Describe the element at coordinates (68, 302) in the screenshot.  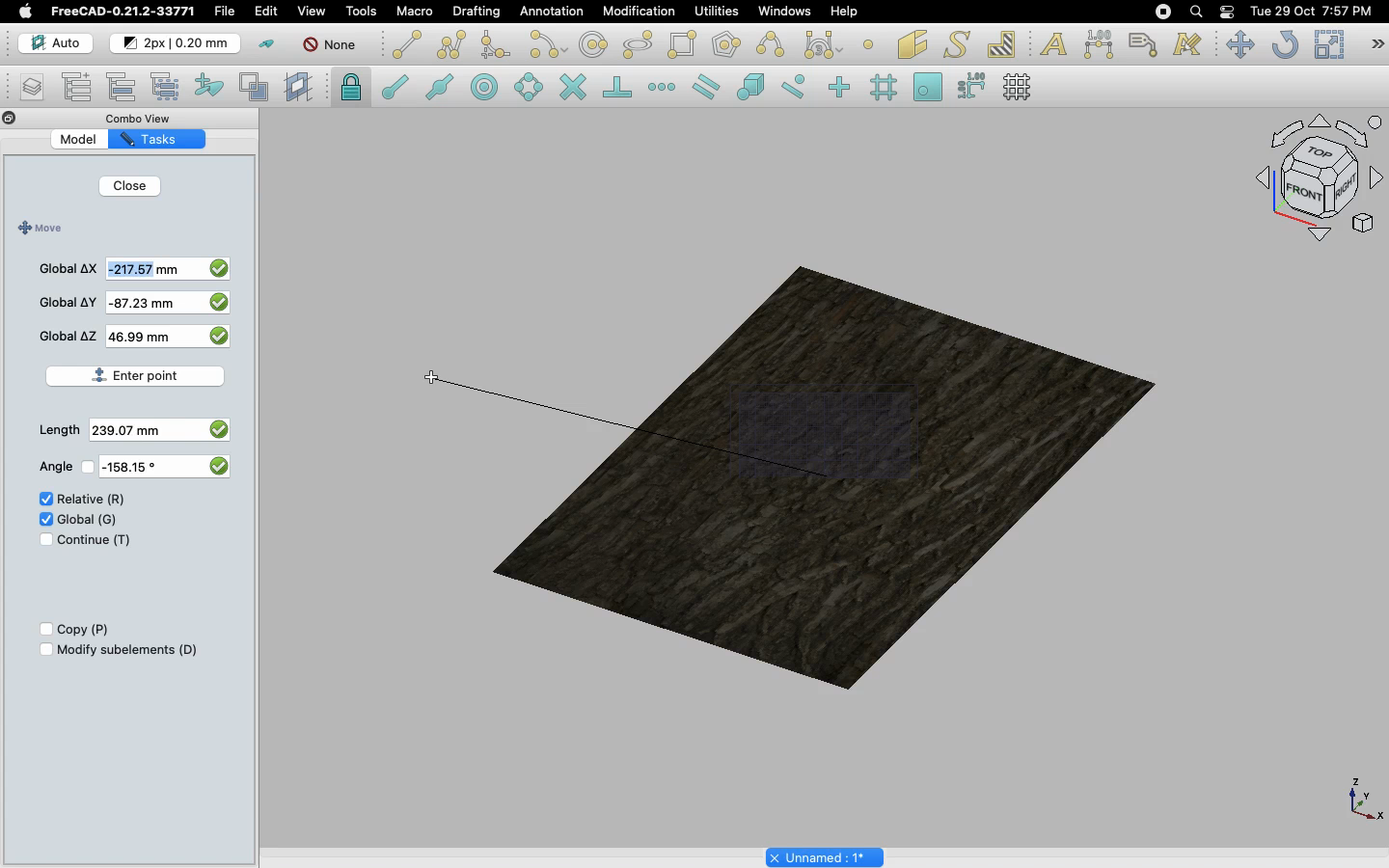
I see `Global Y` at that location.